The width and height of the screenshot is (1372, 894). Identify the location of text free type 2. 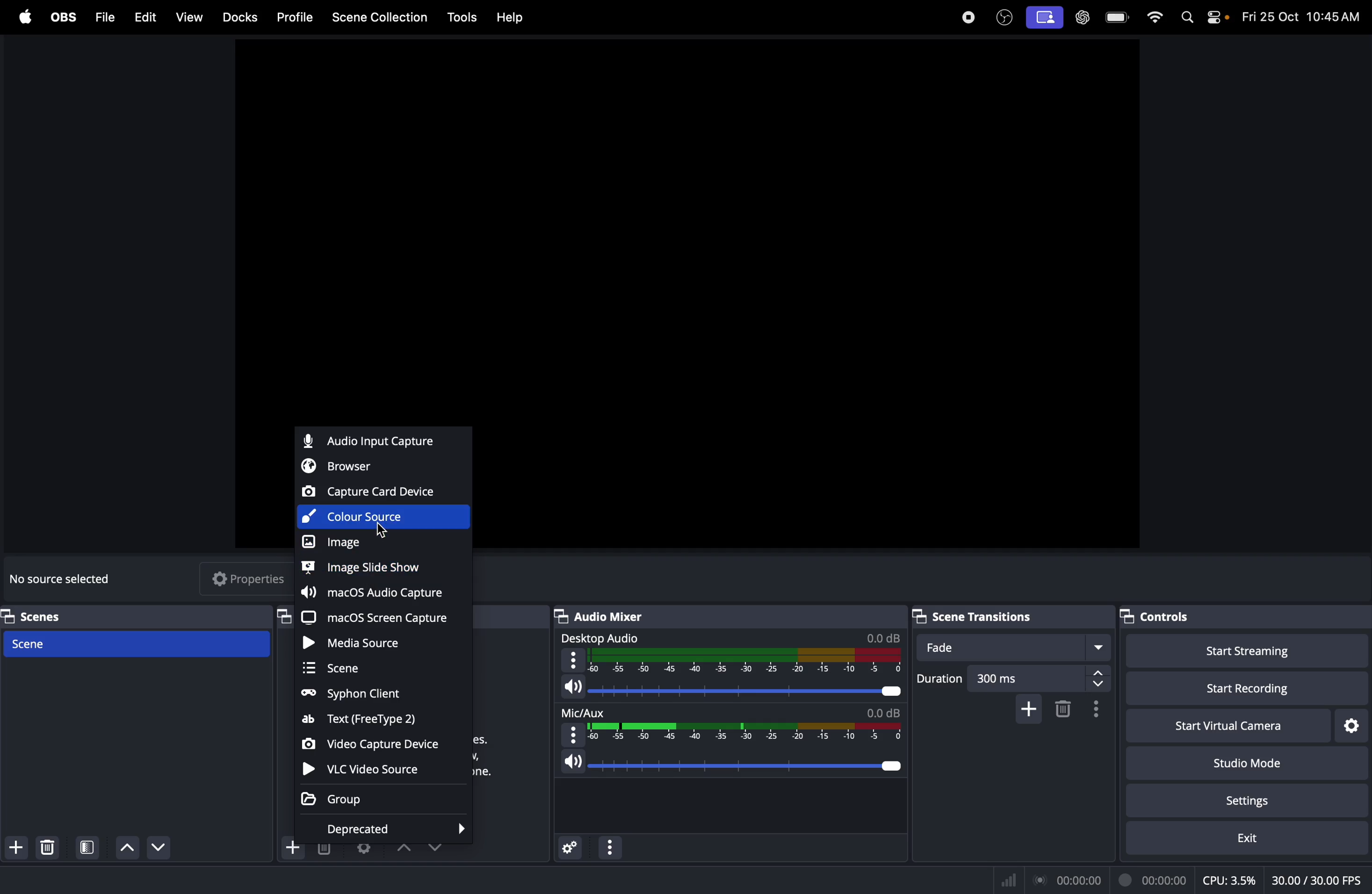
(363, 721).